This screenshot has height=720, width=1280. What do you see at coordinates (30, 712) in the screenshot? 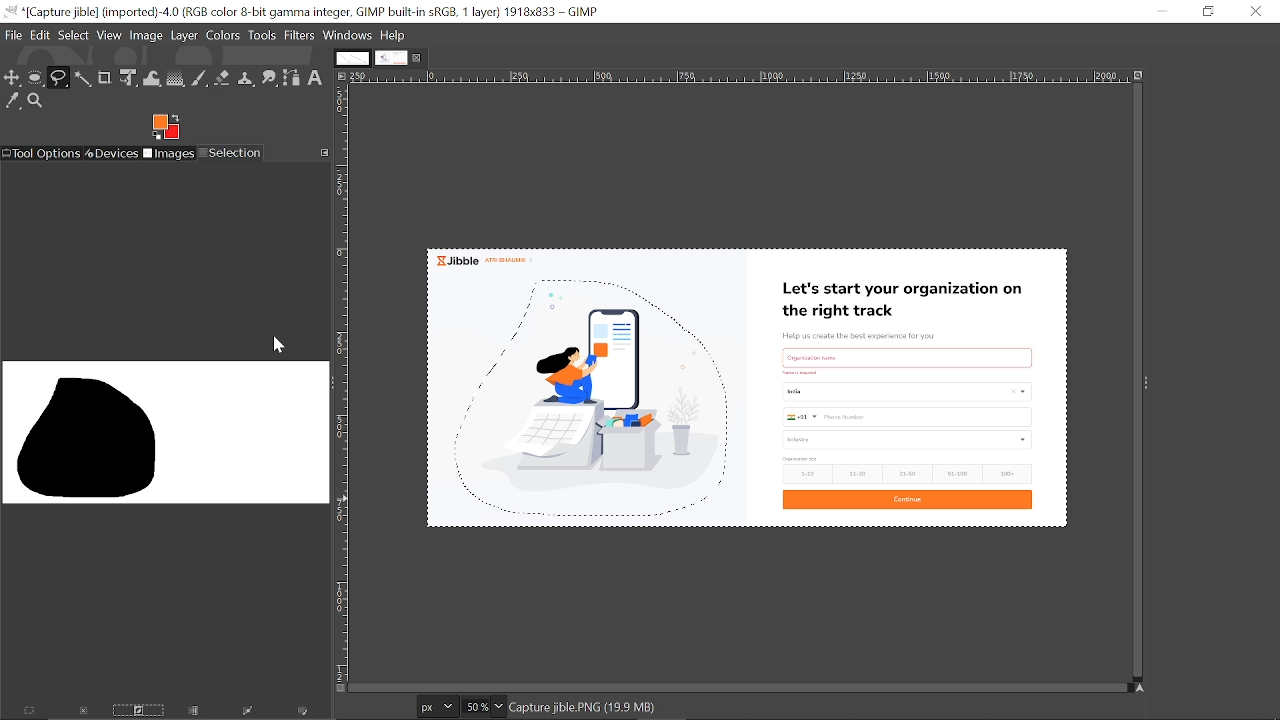
I see `Select everything` at bounding box center [30, 712].